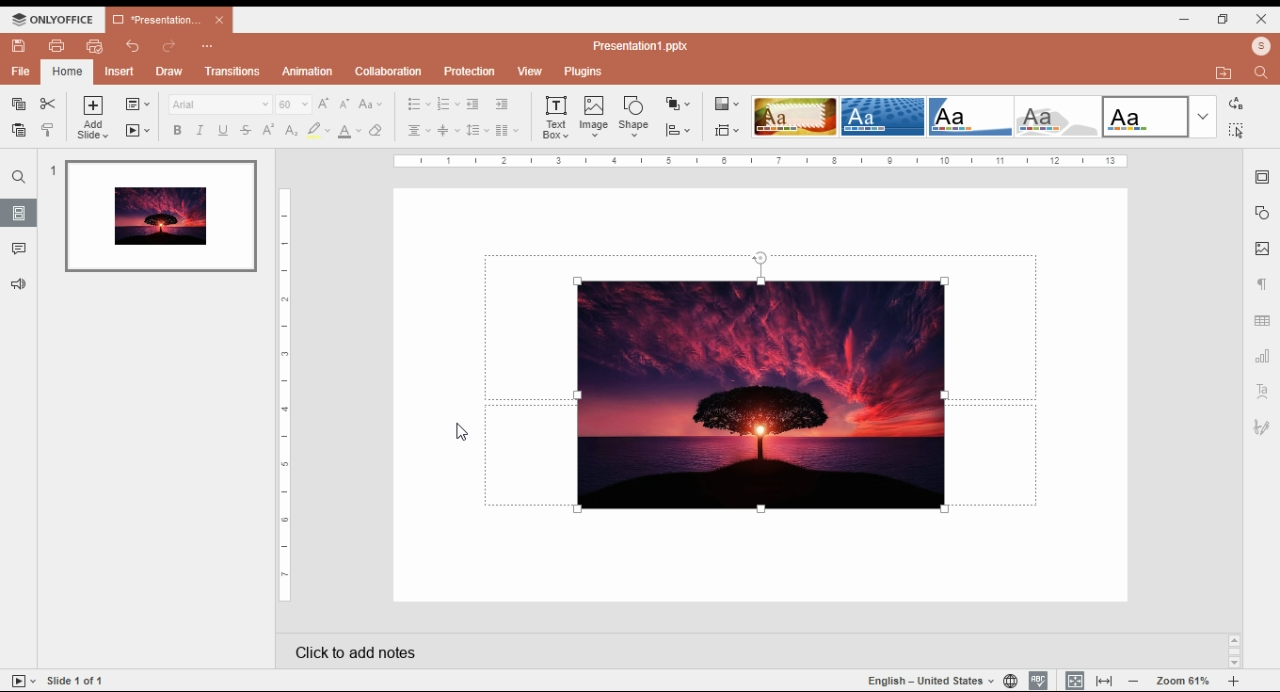  I want to click on view, so click(529, 70).